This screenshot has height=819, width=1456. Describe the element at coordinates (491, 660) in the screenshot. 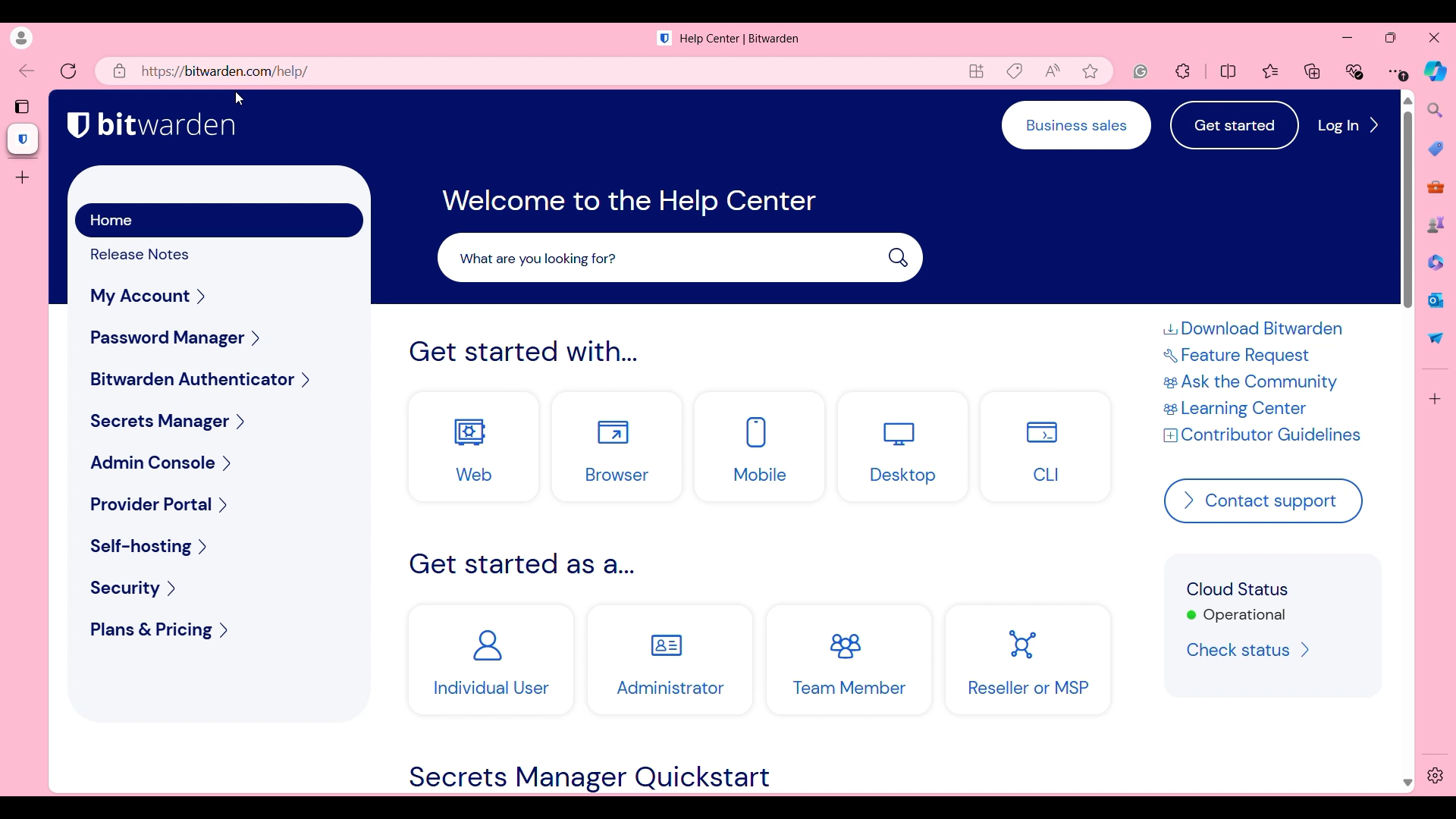

I see `Individual User` at that location.